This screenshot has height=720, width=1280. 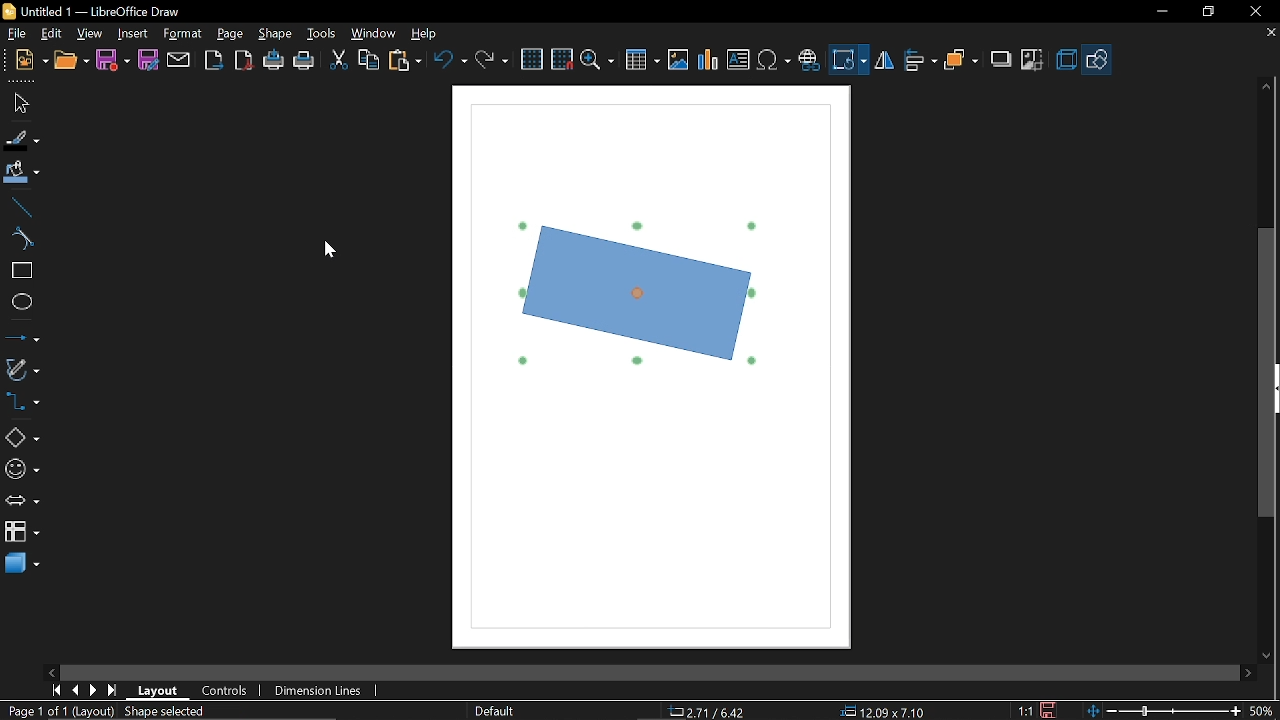 I want to click on (Layout) Rotate shape(-12.86), so click(x=172, y=711).